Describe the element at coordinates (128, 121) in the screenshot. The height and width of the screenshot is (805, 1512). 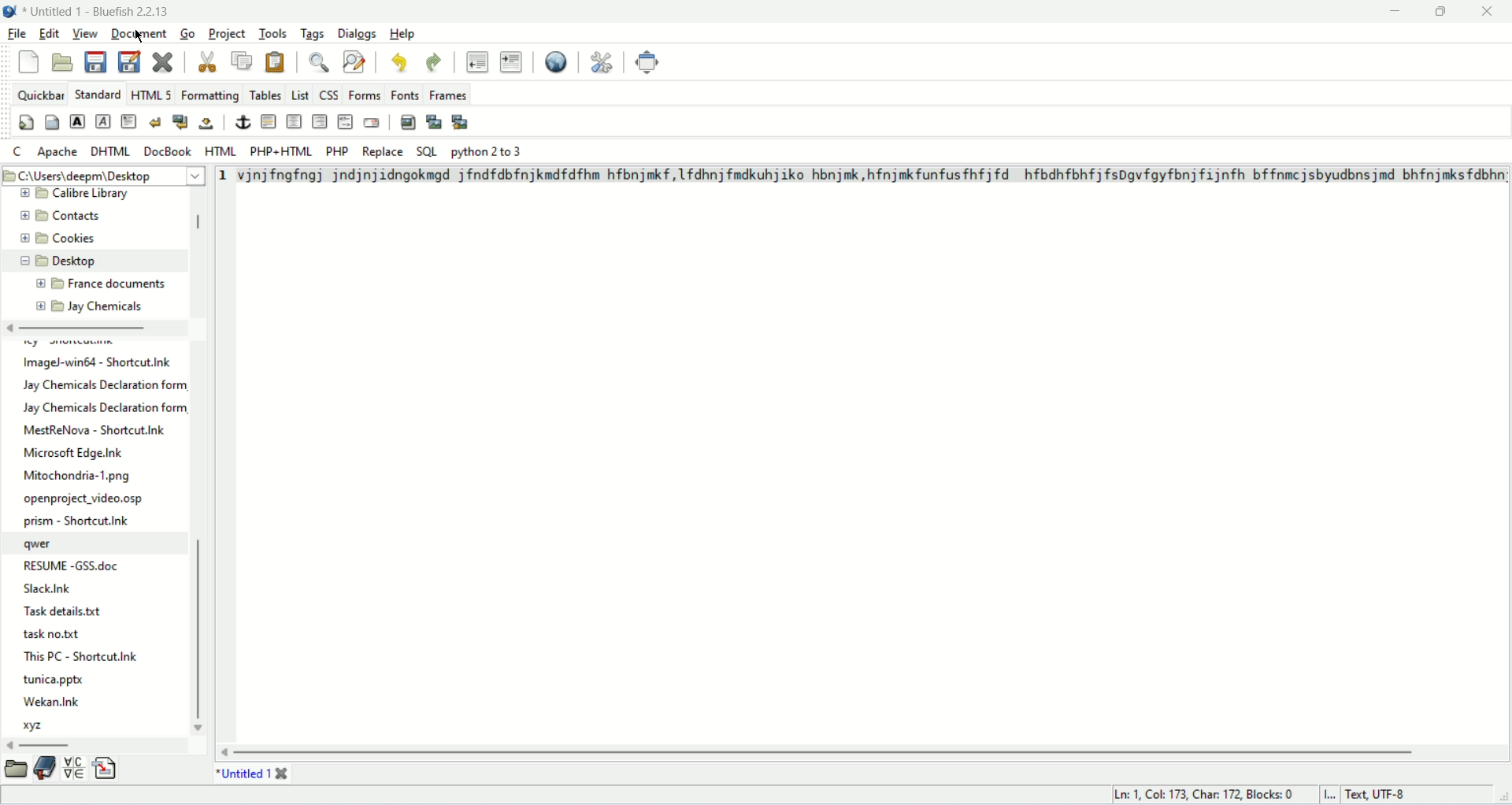
I see `paragraph` at that location.